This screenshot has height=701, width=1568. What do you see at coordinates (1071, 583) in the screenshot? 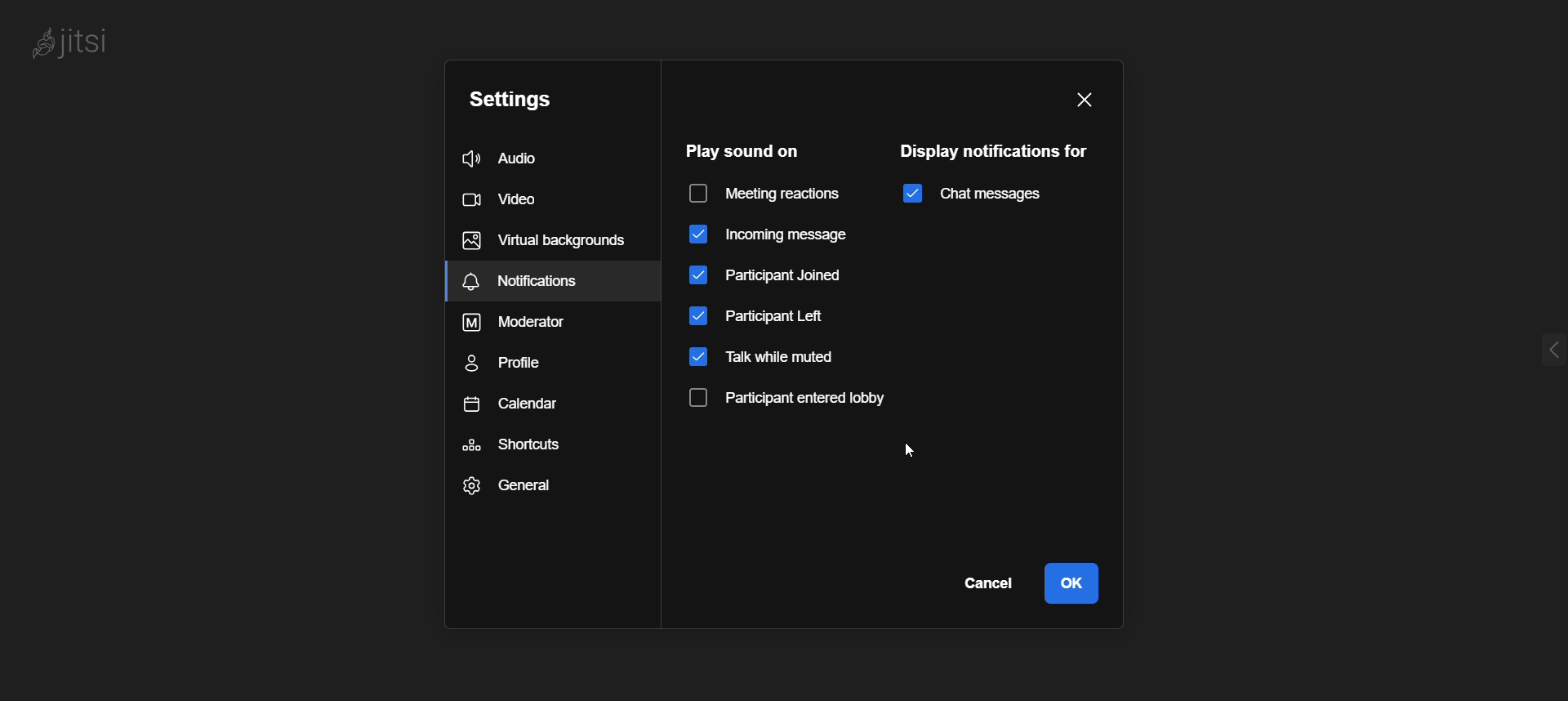
I see `ok` at bounding box center [1071, 583].